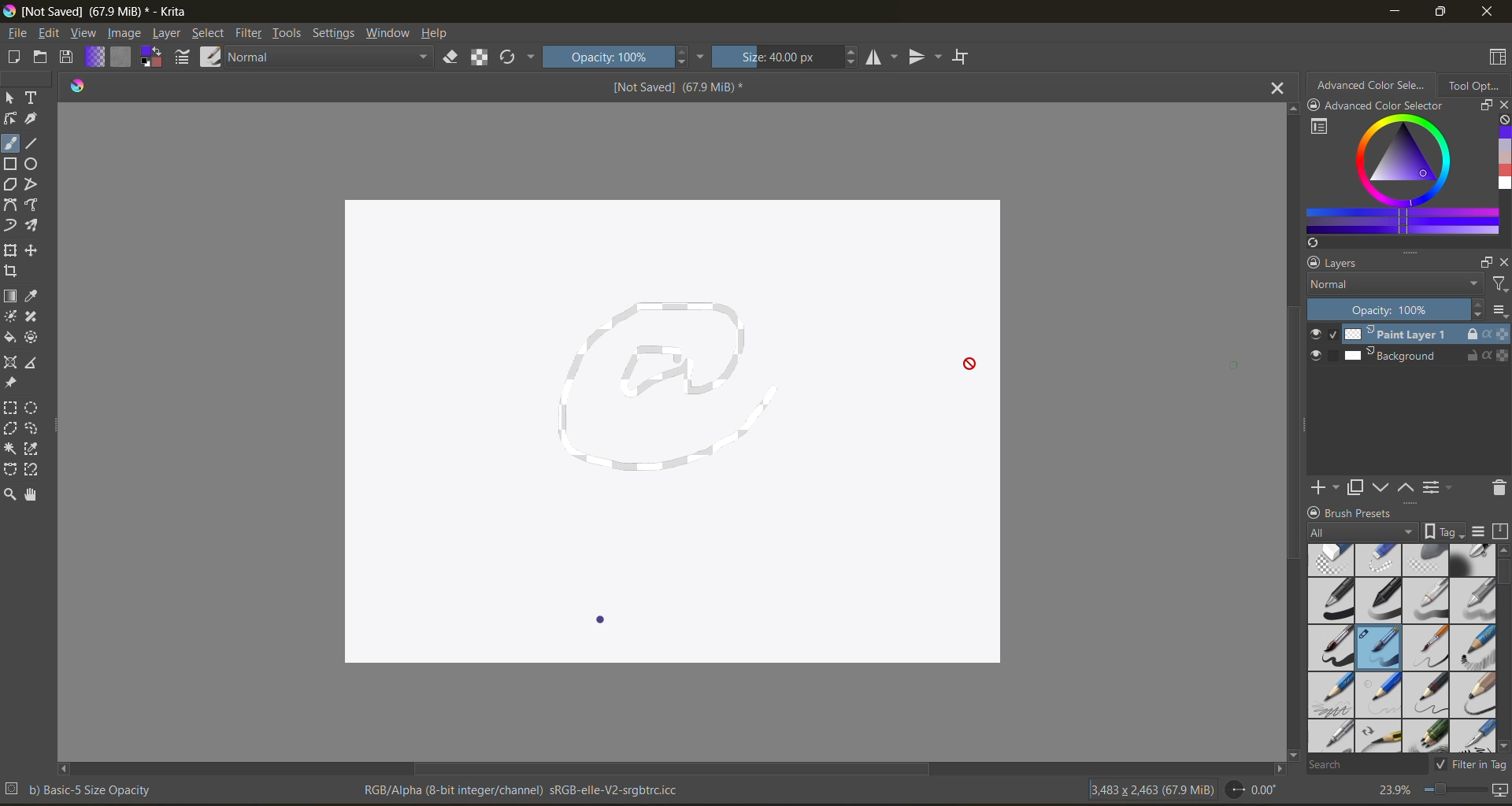 This screenshot has height=806, width=1512. What do you see at coordinates (1404, 488) in the screenshot?
I see `mask up` at bounding box center [1404, 488].